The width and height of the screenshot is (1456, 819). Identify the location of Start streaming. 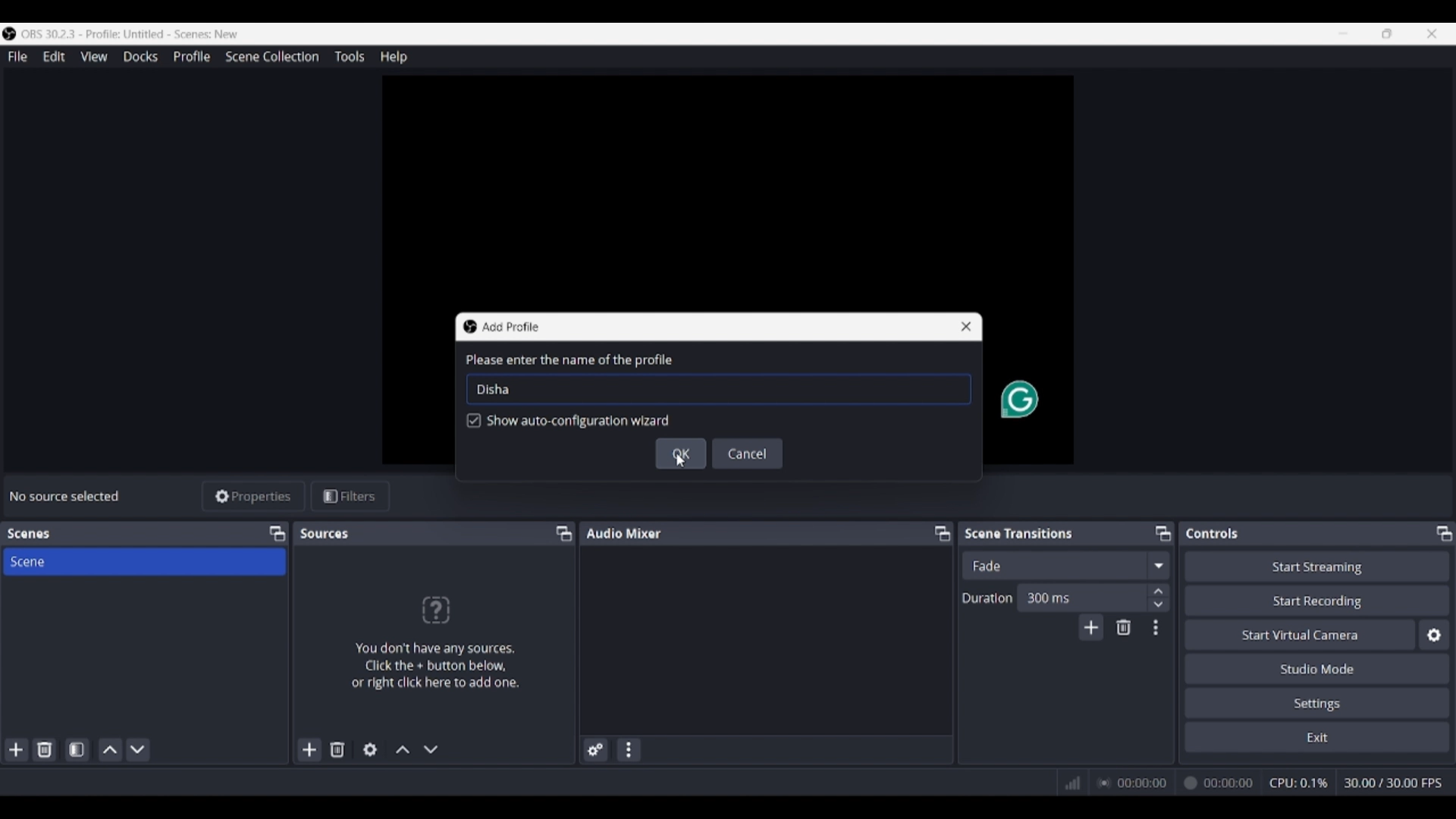
(1318, 566).